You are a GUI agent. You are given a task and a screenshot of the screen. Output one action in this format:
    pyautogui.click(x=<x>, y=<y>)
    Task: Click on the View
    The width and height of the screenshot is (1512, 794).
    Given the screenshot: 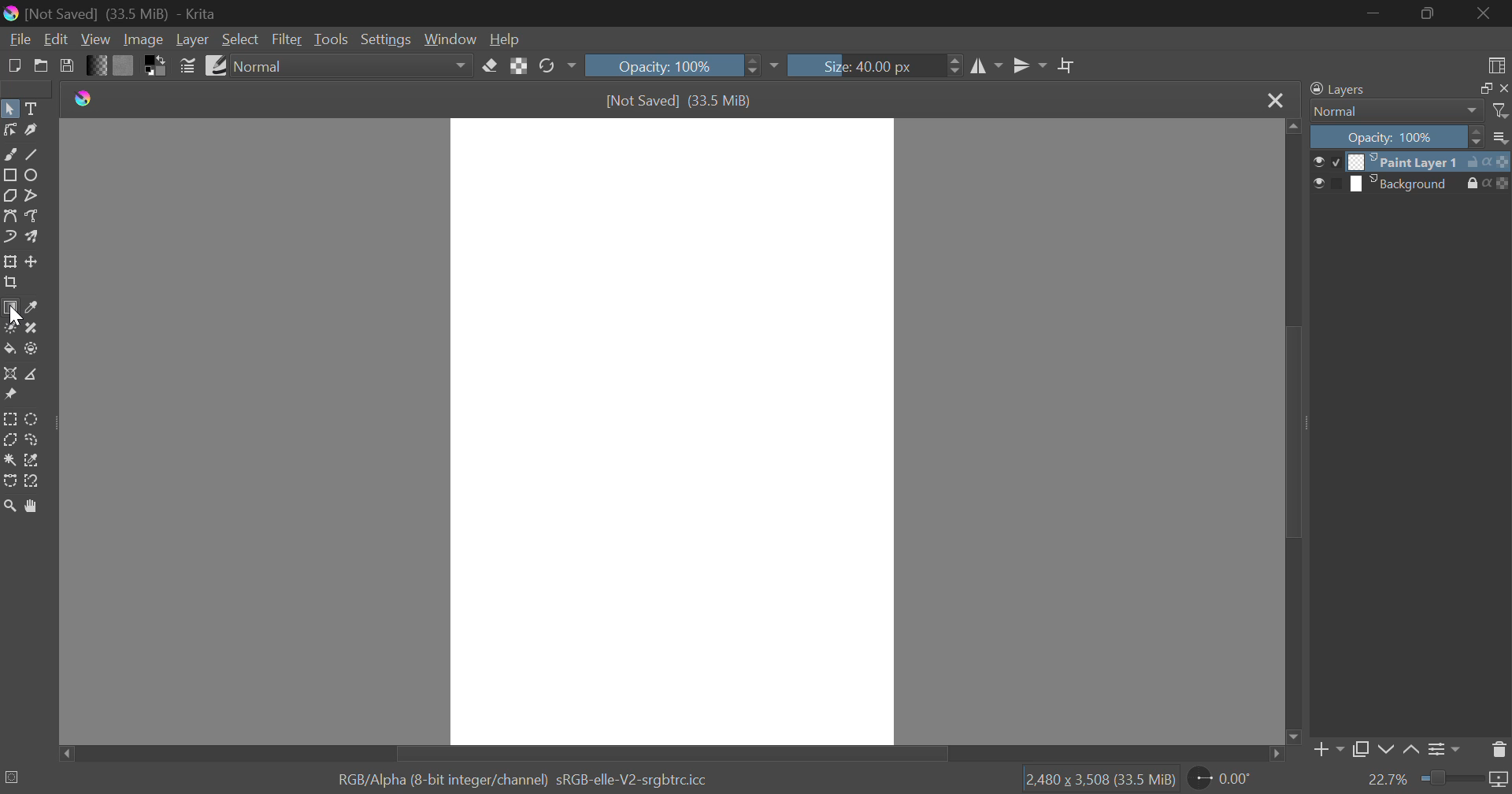 What is the action you would take?
    pyautogui.click(x=96, y=39)
    